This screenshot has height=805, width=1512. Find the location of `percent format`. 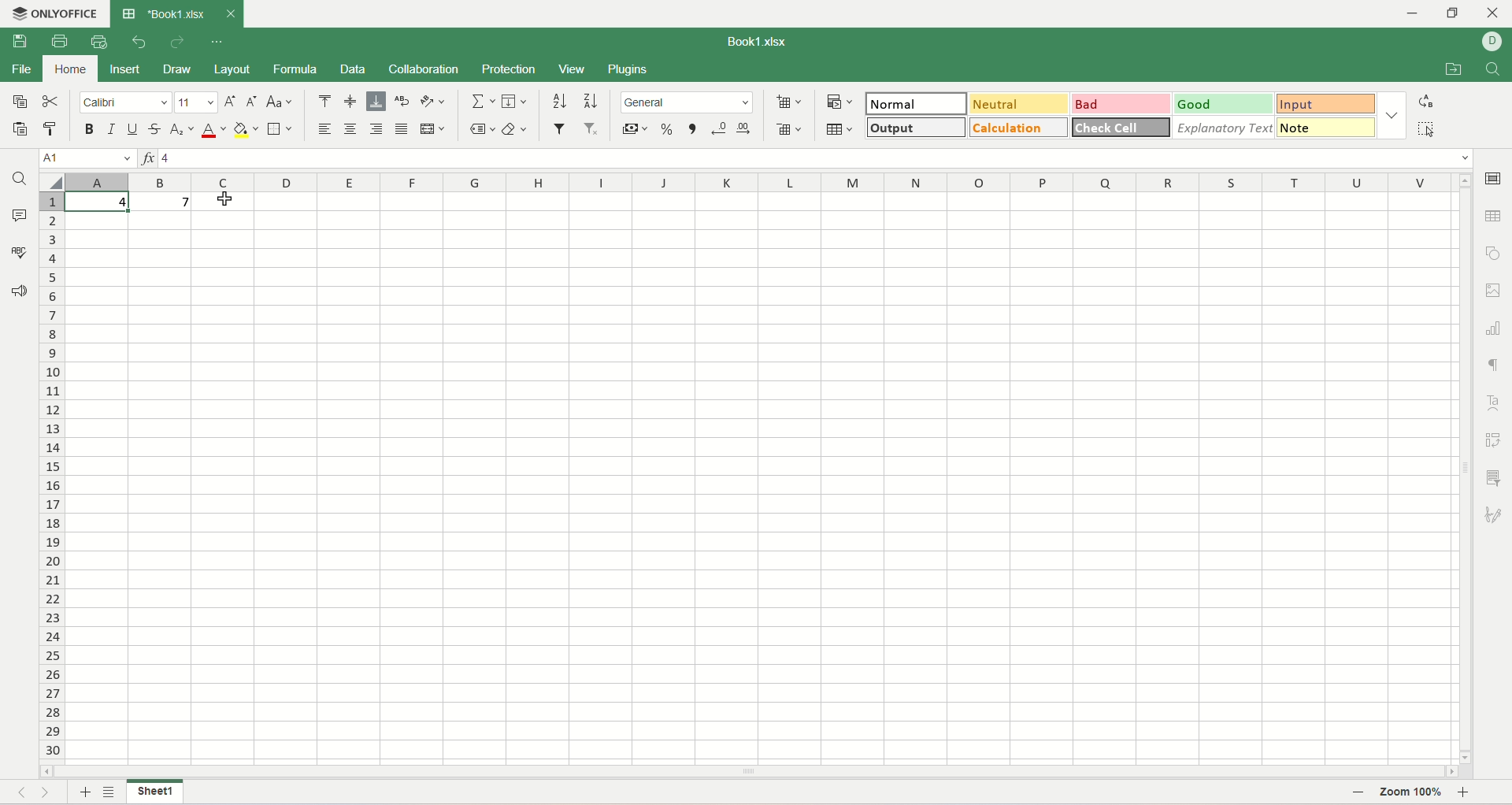

percent format is located at coordinates (666, 128).